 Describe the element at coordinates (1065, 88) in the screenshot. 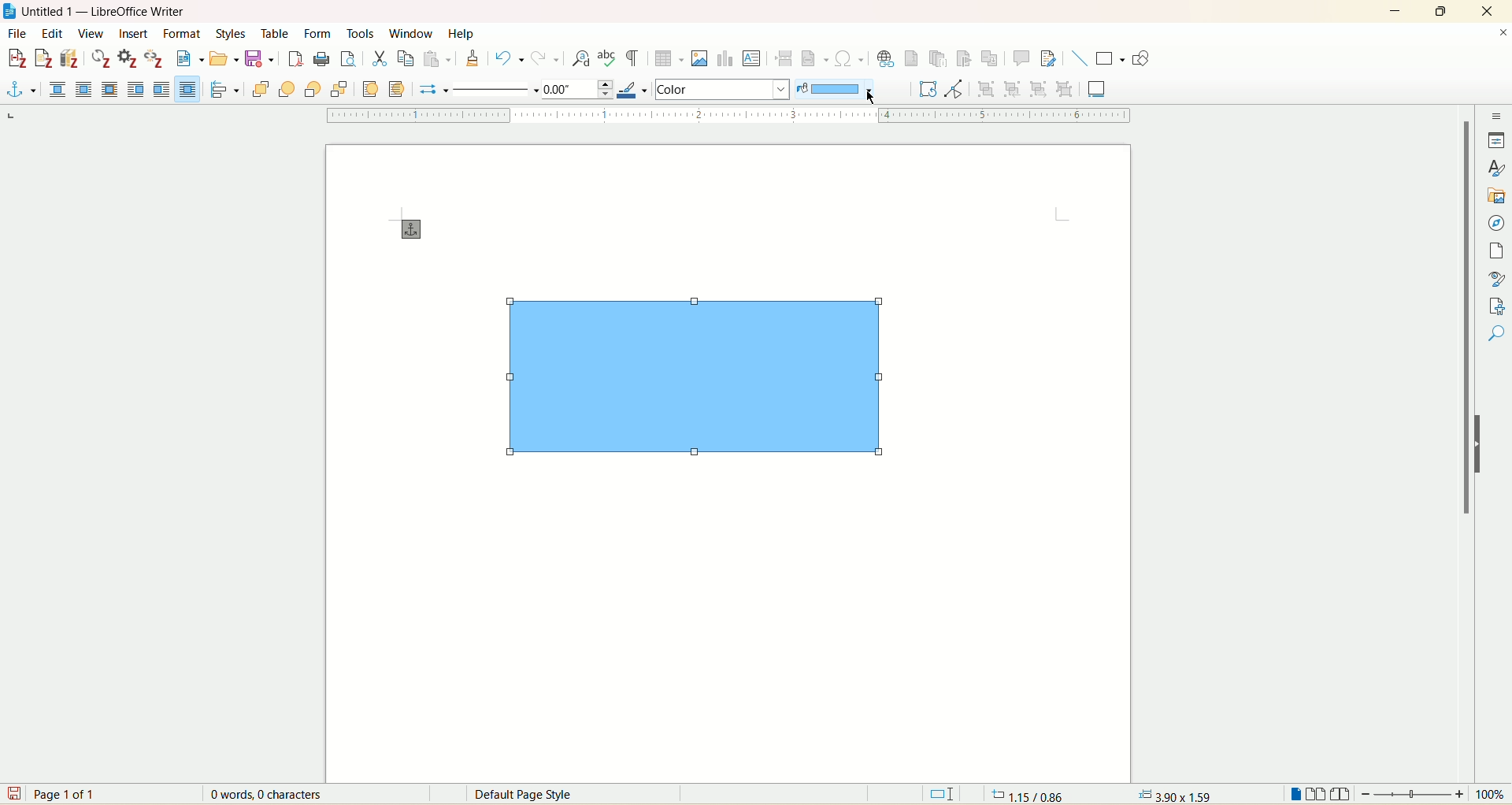

I see `ungroup` at that location.